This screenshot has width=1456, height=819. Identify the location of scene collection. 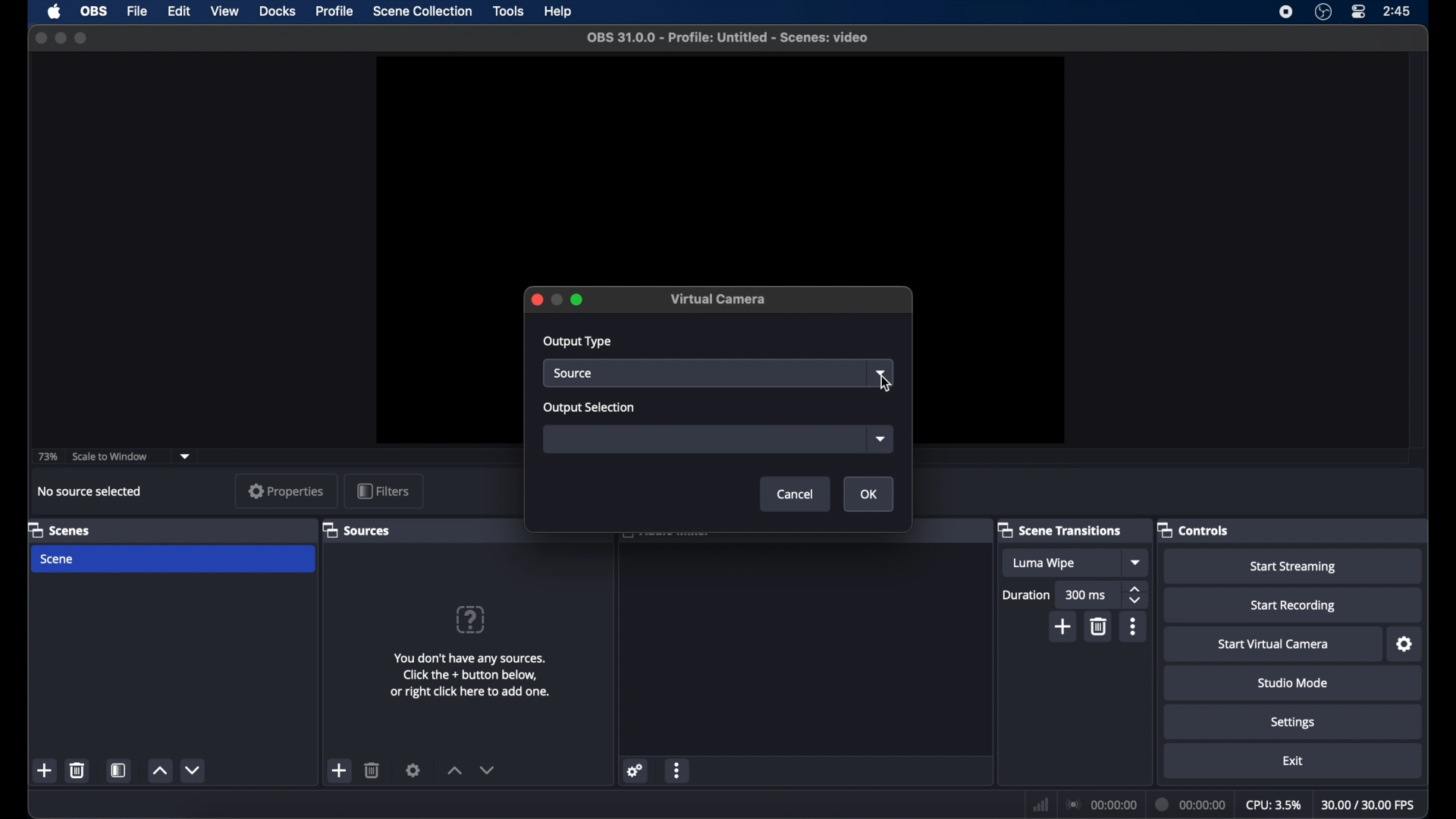
(422, 11).